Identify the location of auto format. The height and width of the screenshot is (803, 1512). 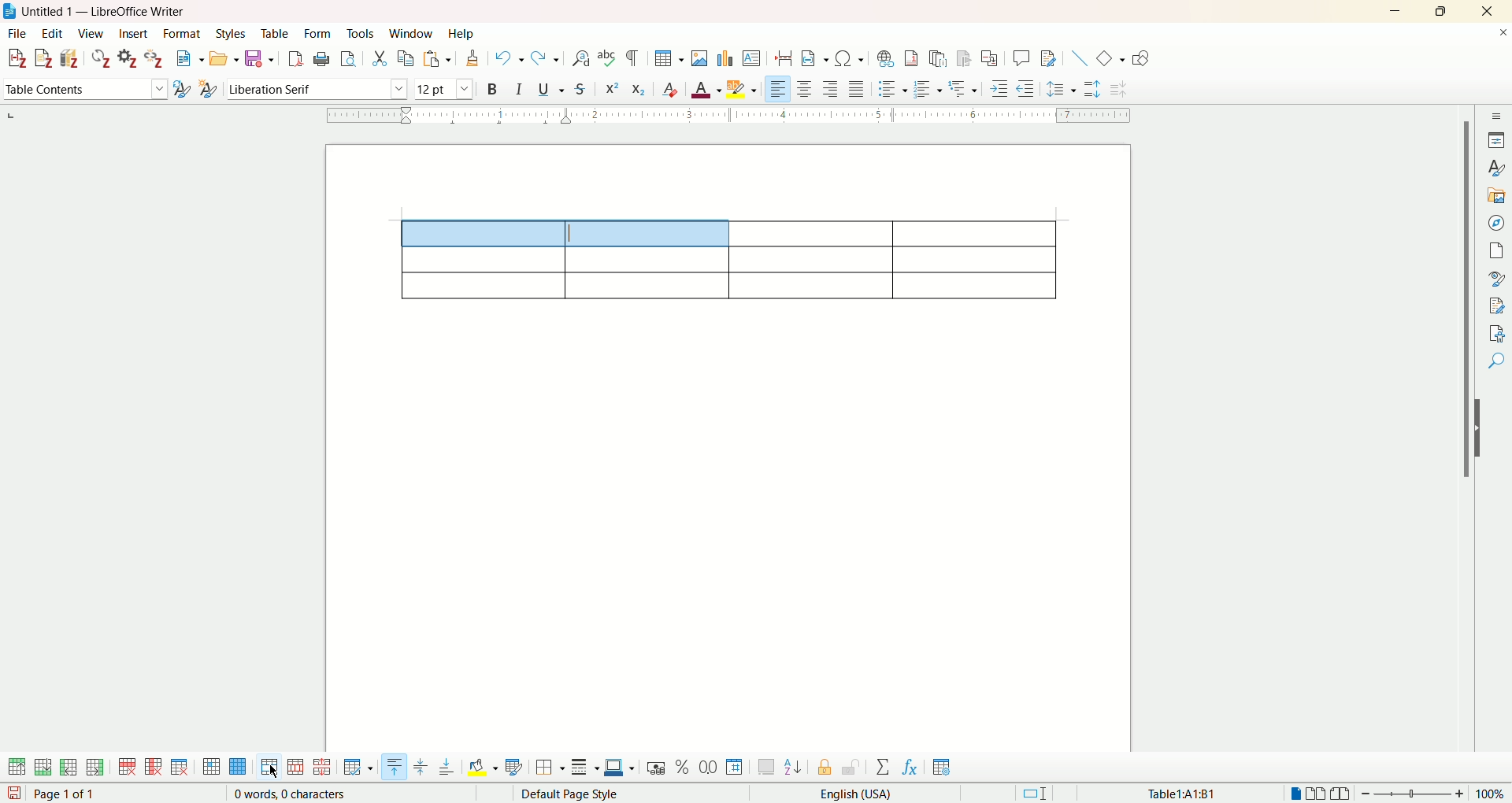
(514, 768).